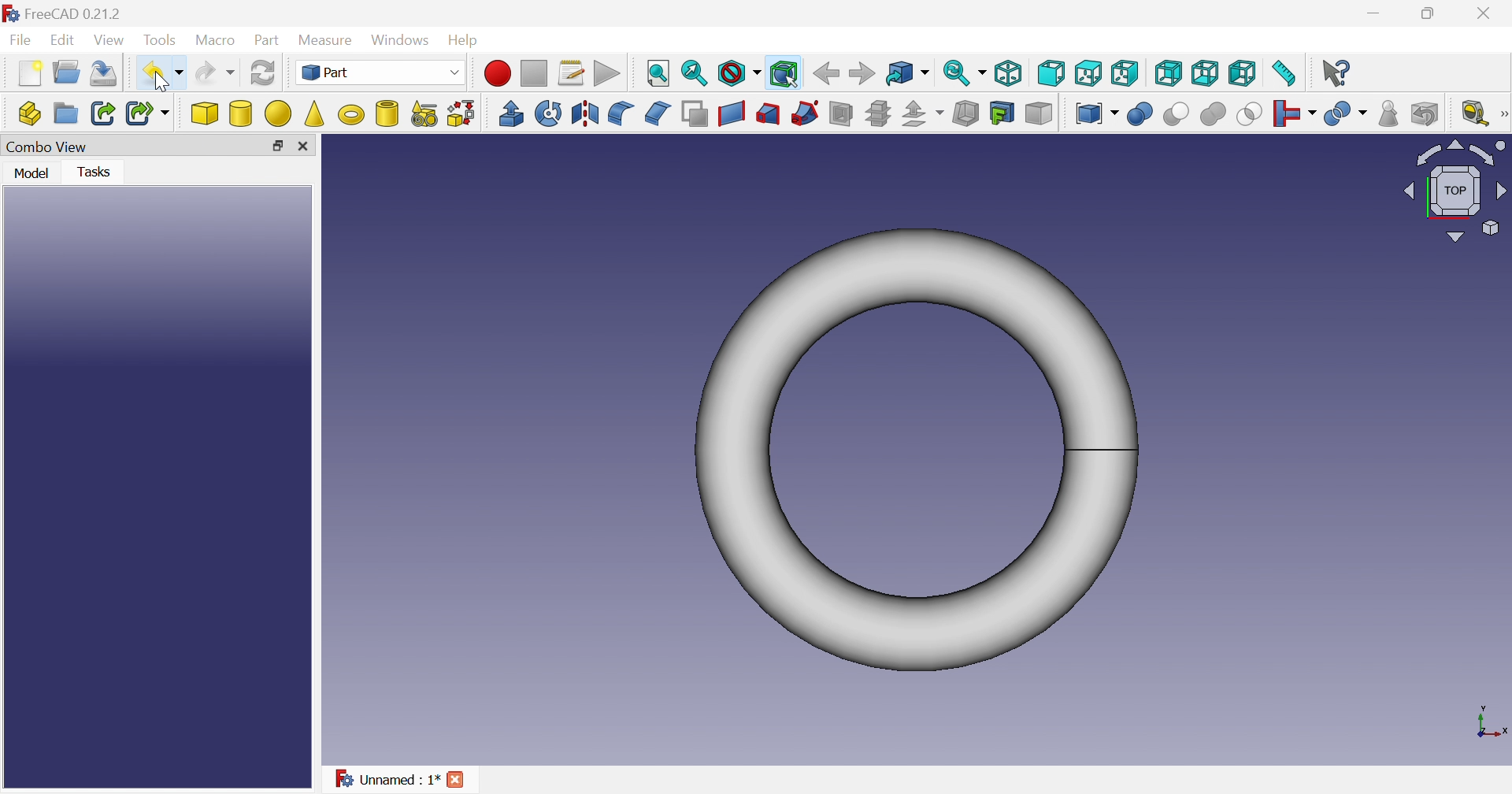  Describe the element at coordinates (1336, 73) in the screenshot. I see `What's this?` at that location.